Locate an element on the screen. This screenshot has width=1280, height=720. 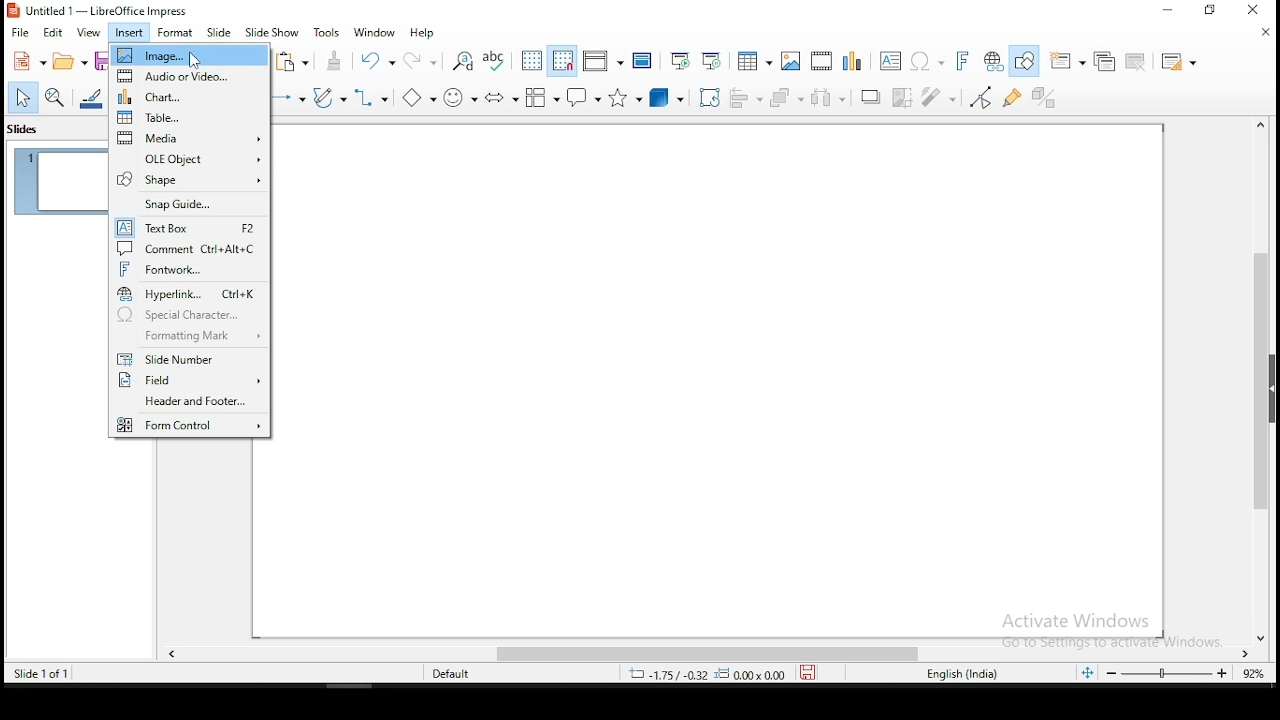
chart is located at coordinates (190, 95).